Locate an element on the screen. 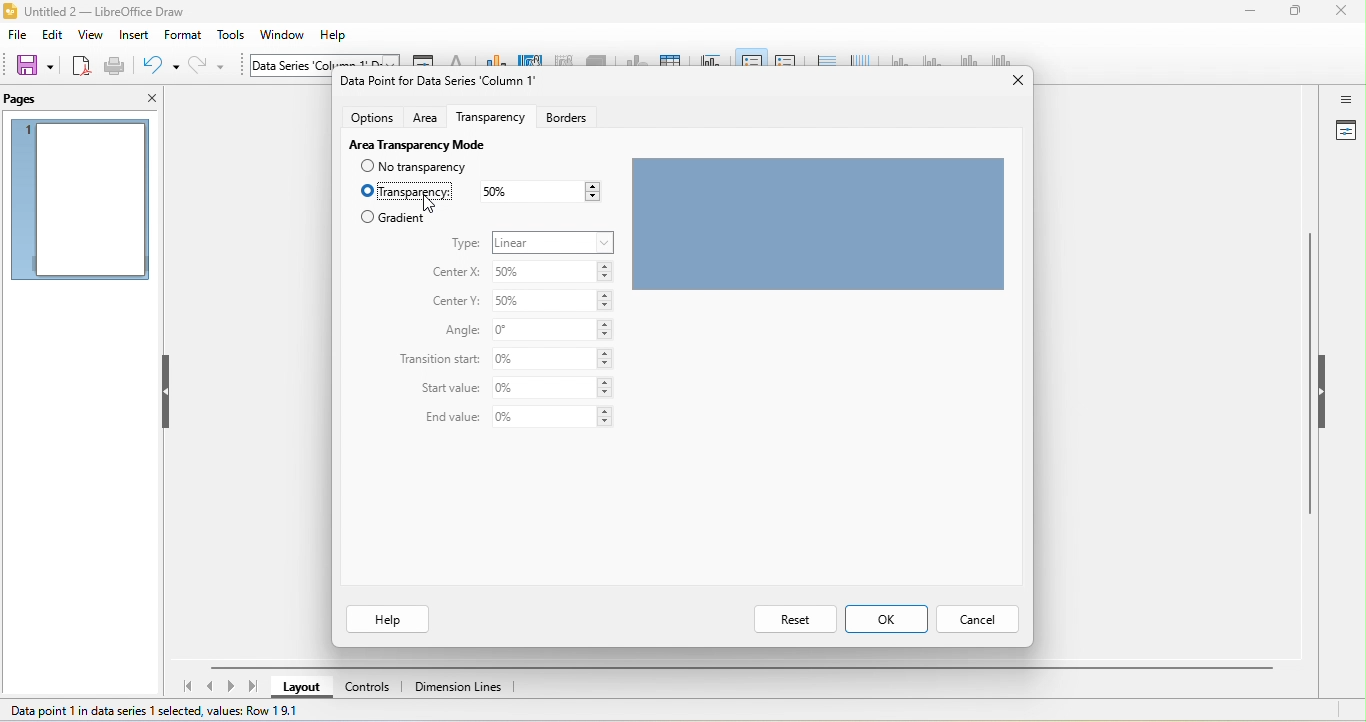  transparency is located at coordinates (418, 191).